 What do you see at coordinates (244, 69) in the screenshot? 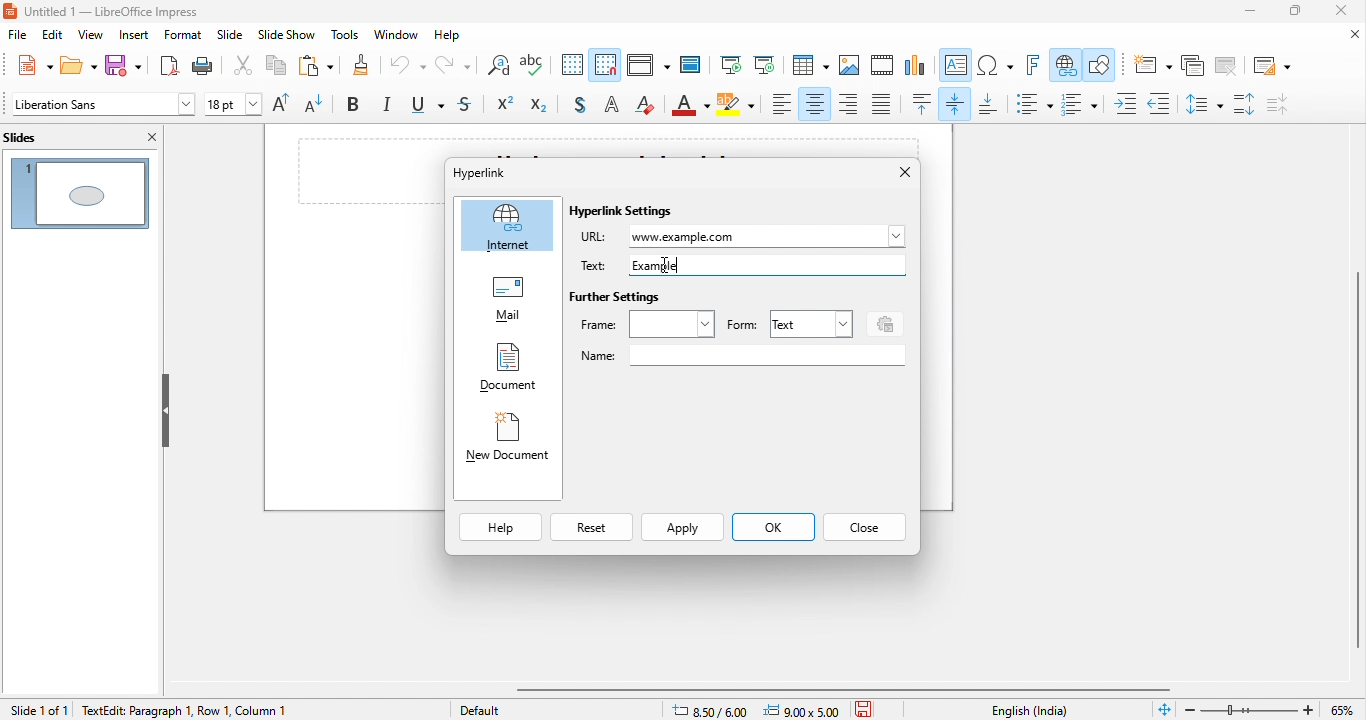
I see `cut` at bounding box center [244, 69].